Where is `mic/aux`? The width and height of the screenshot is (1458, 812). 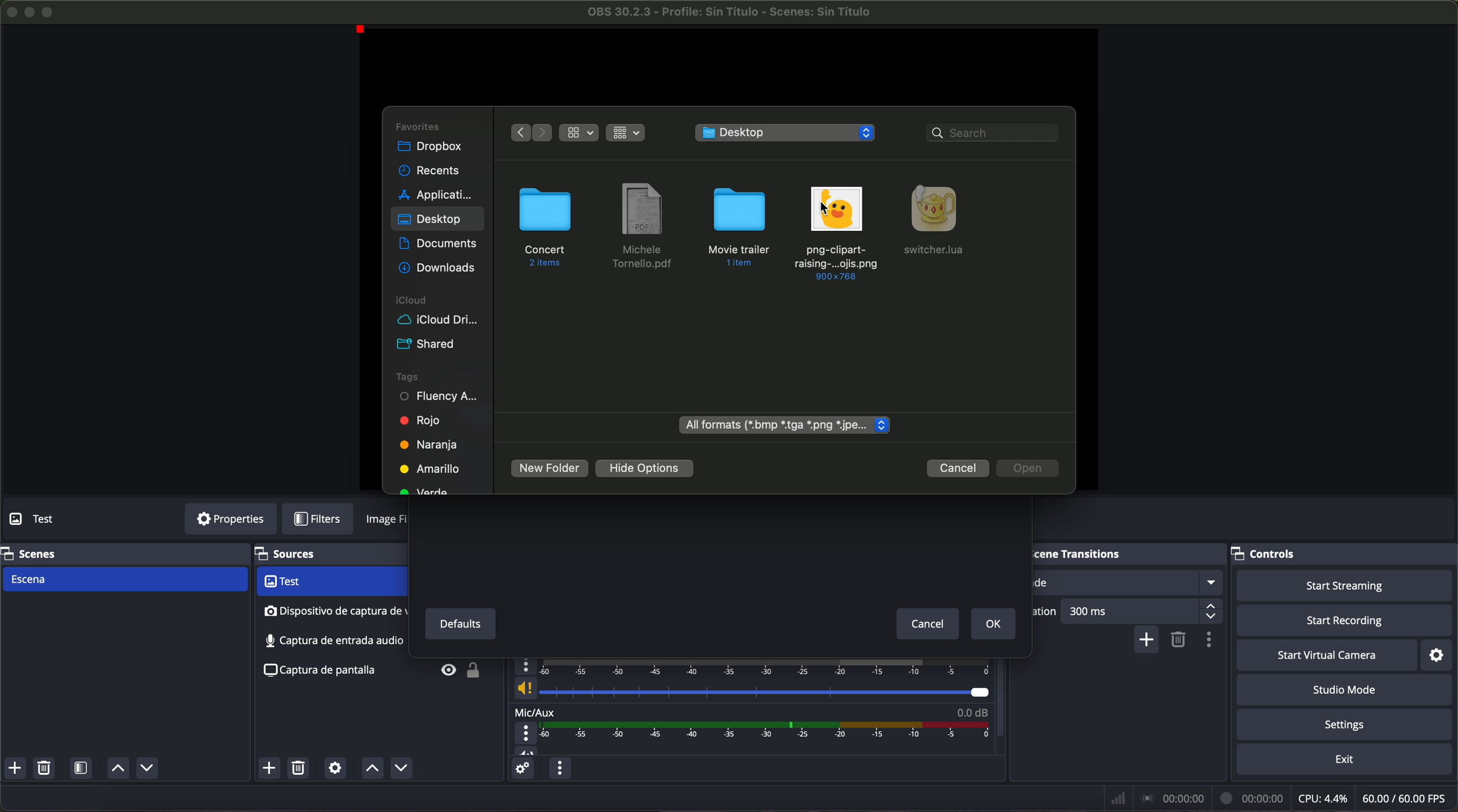 mic/aux is located at coordinates (535, 711).